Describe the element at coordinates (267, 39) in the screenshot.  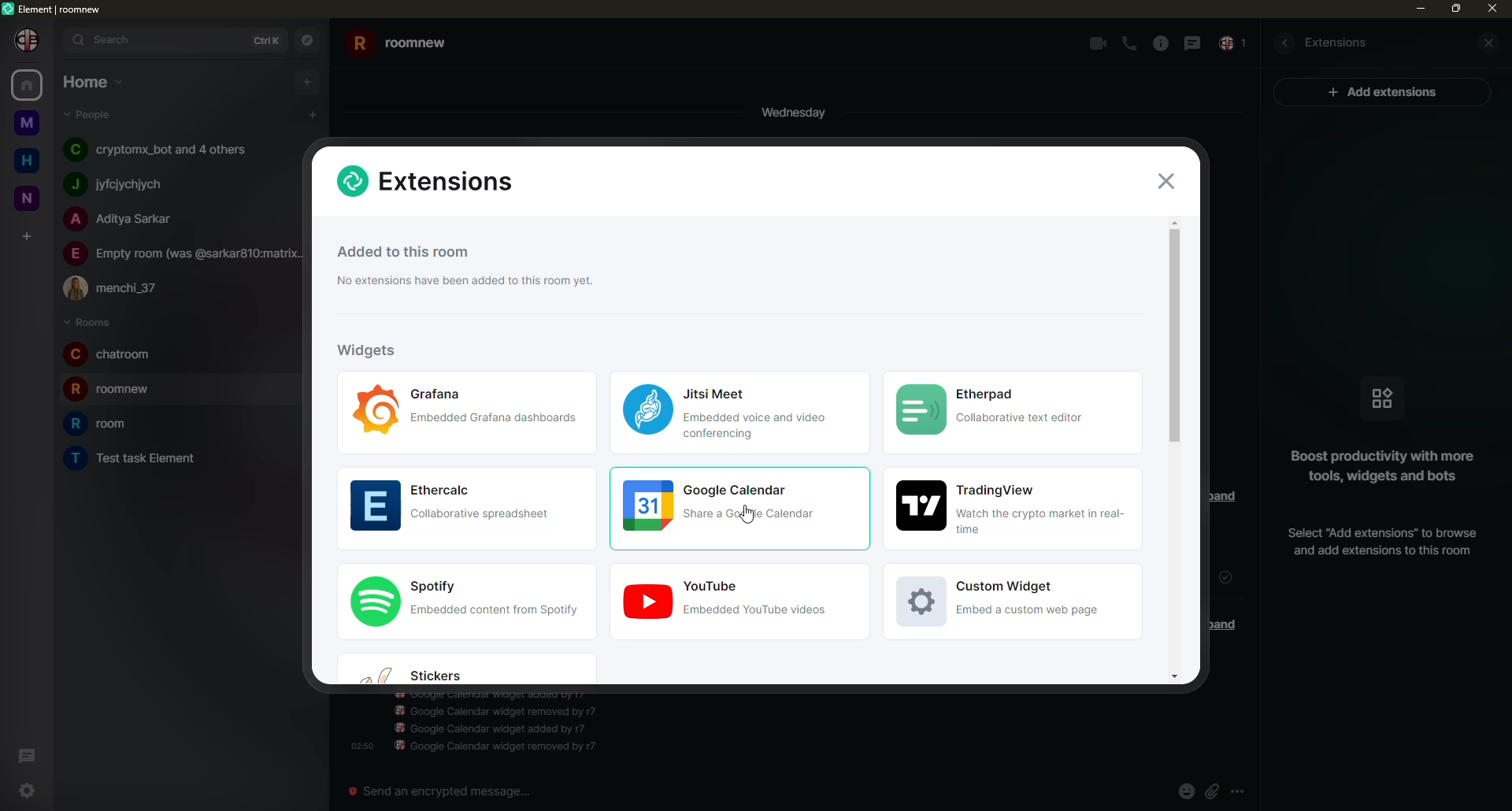
I see `ctrlK` at that location.